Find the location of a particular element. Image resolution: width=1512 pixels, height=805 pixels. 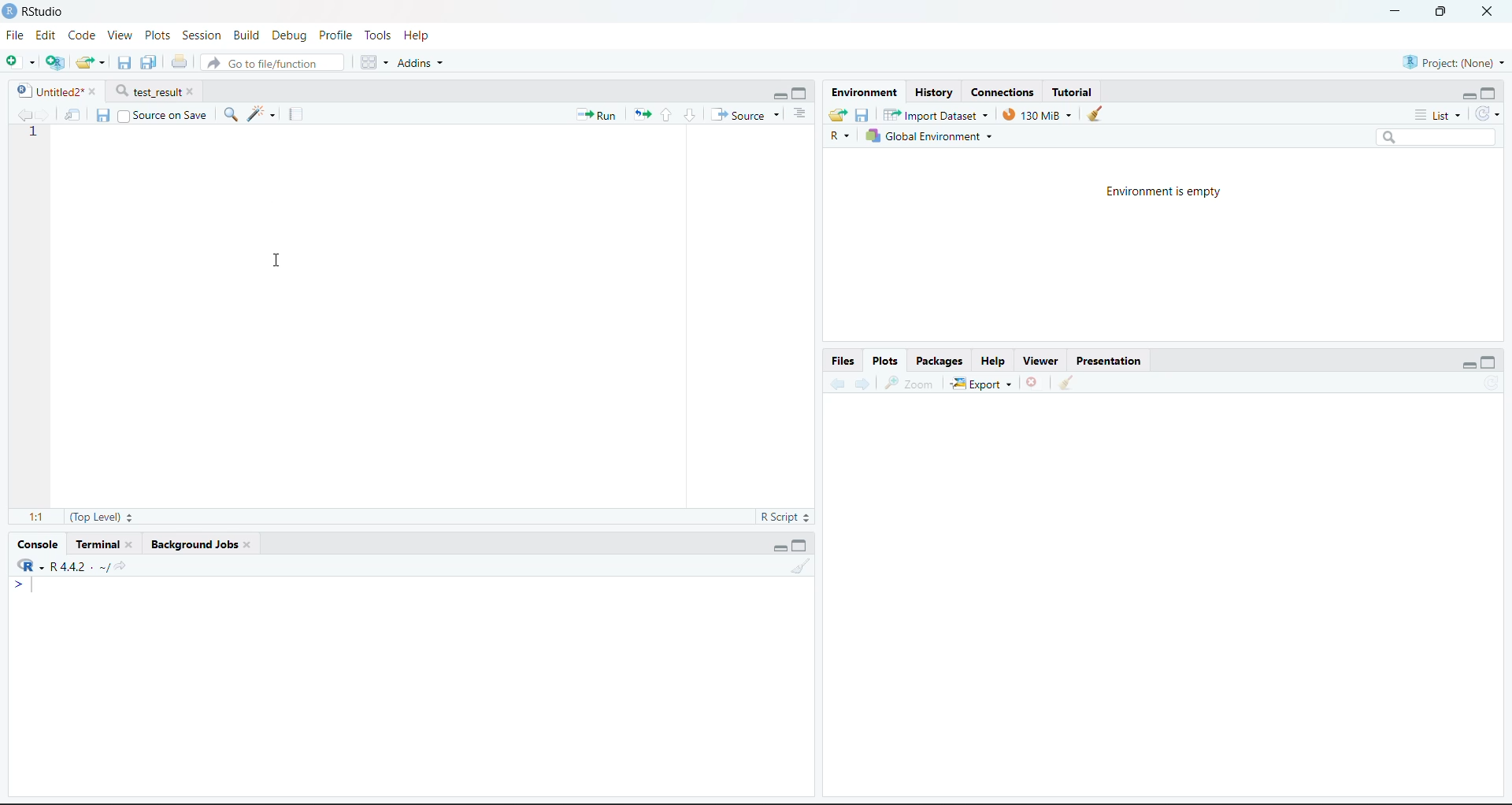

Go forward to the next source location (Ctrl + F10) is located at coordinates (865, 384).